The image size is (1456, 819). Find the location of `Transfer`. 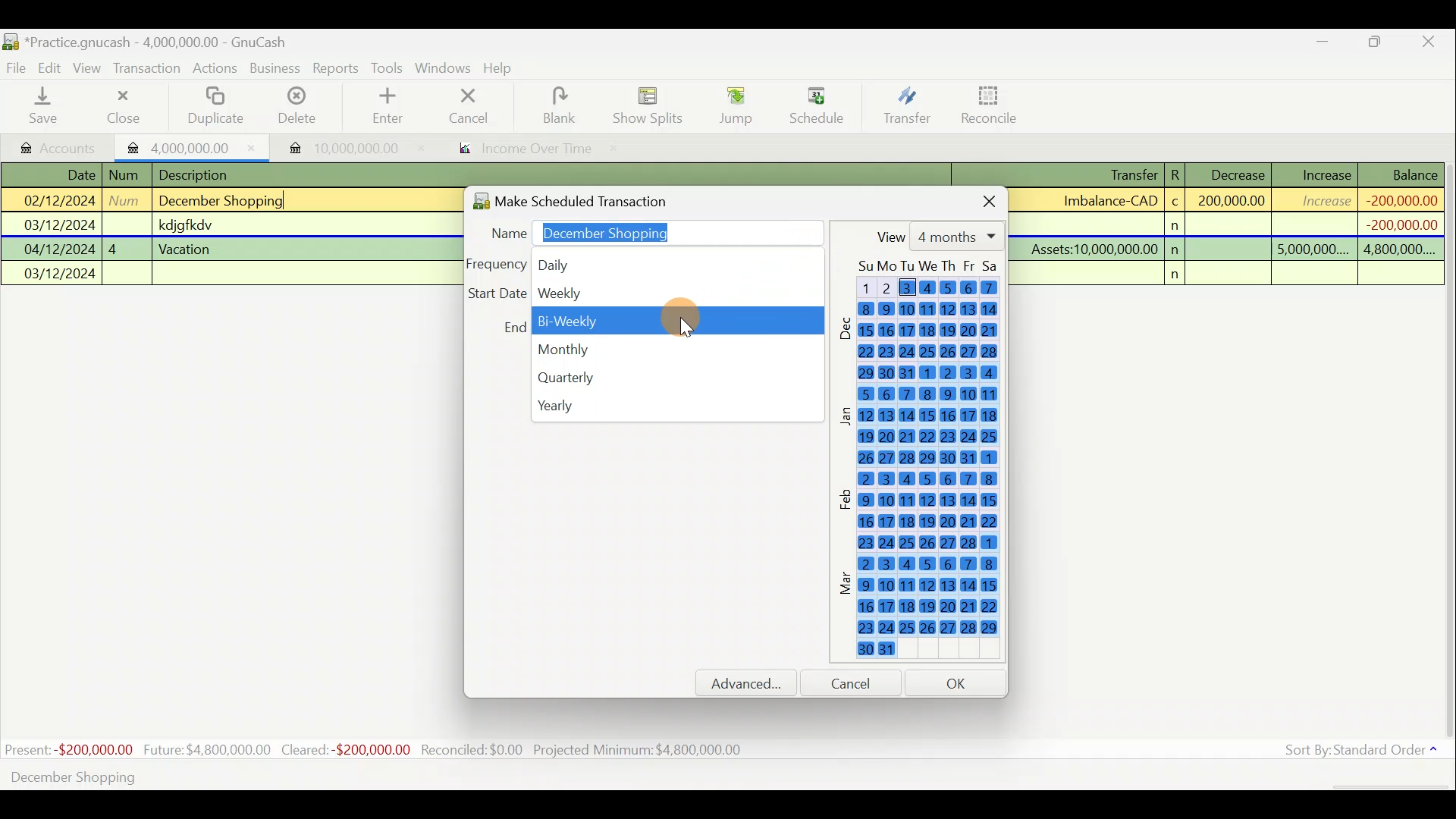

Transfer is located at coordinates (907, 105).